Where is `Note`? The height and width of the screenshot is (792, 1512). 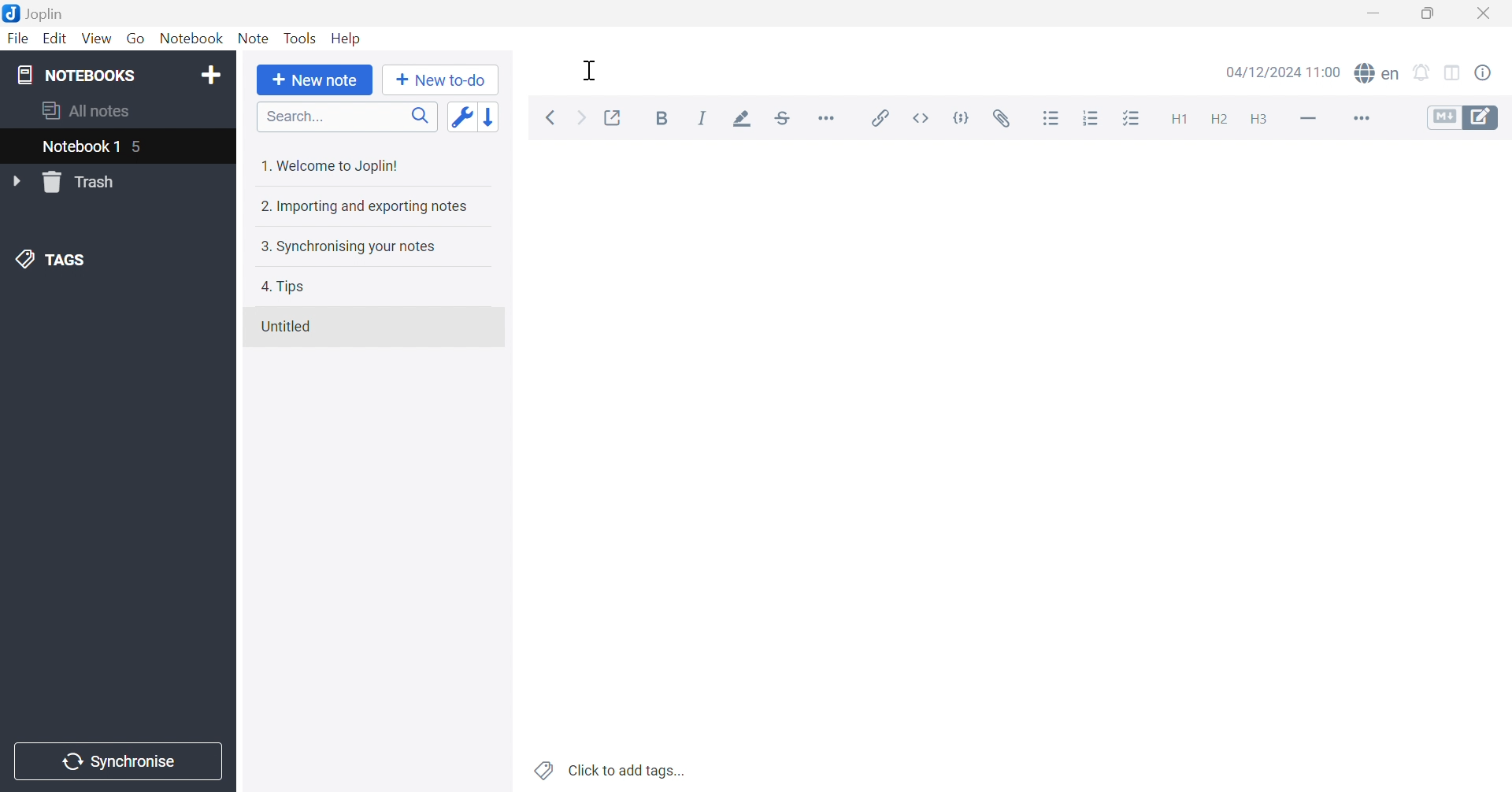 Note is located at coordinates (252, 39).